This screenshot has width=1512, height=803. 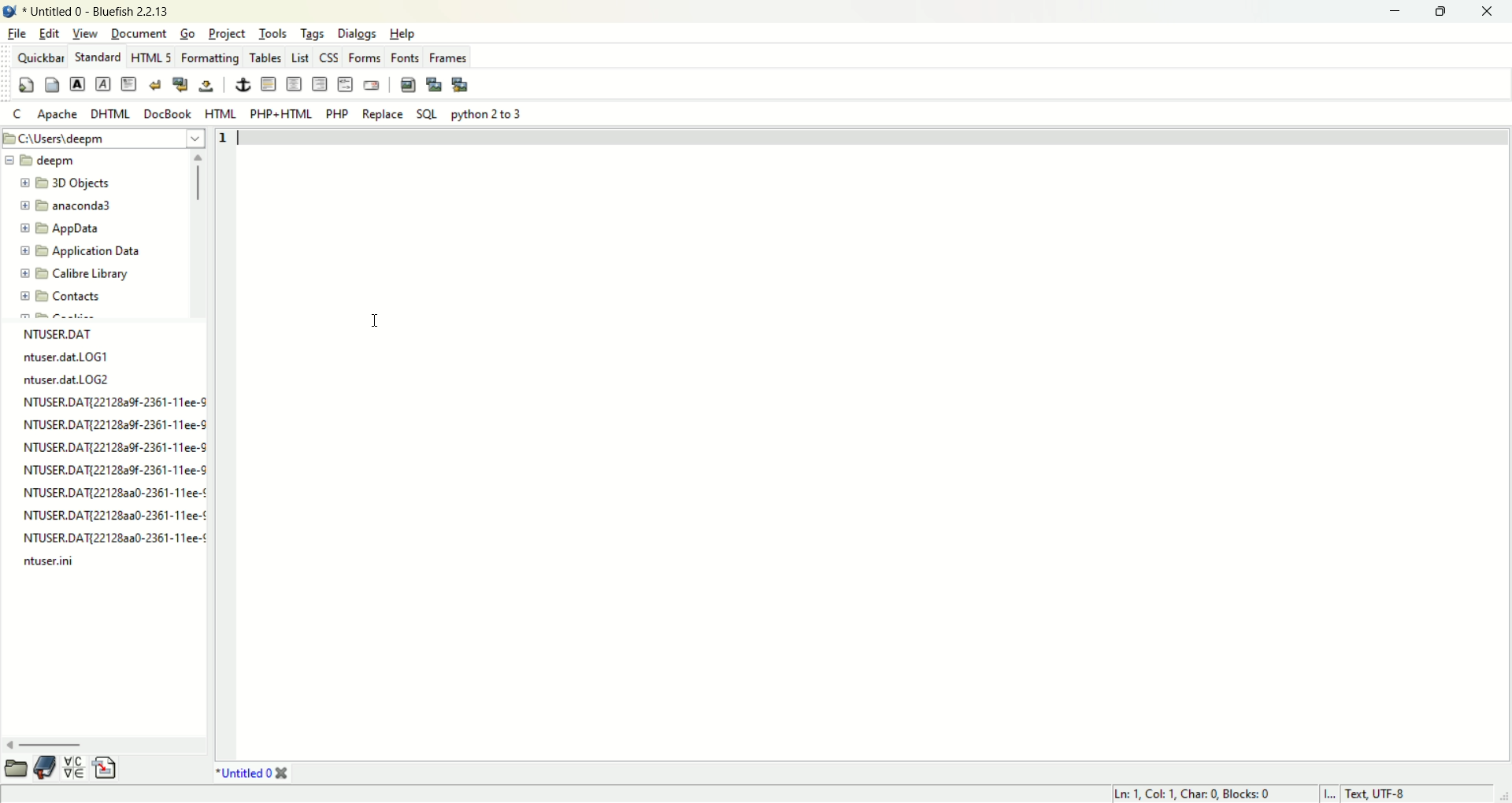 I want to click on NTUSER.DAT[221282a9f-2361-11ee-S, so click(x=114, y=402).